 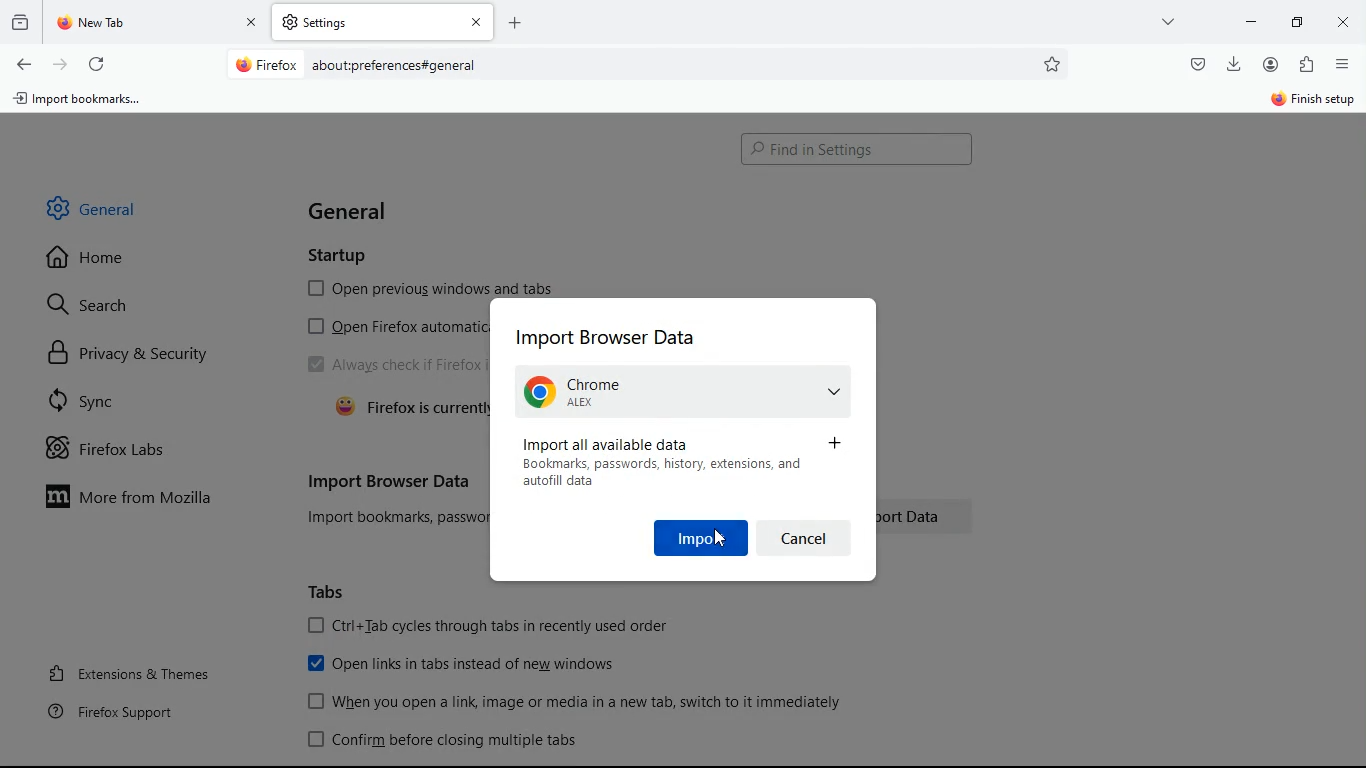 What do you see at coordinates (1340, 25) in the screenshot?
I see `close` at bounding box center [1340, 25].